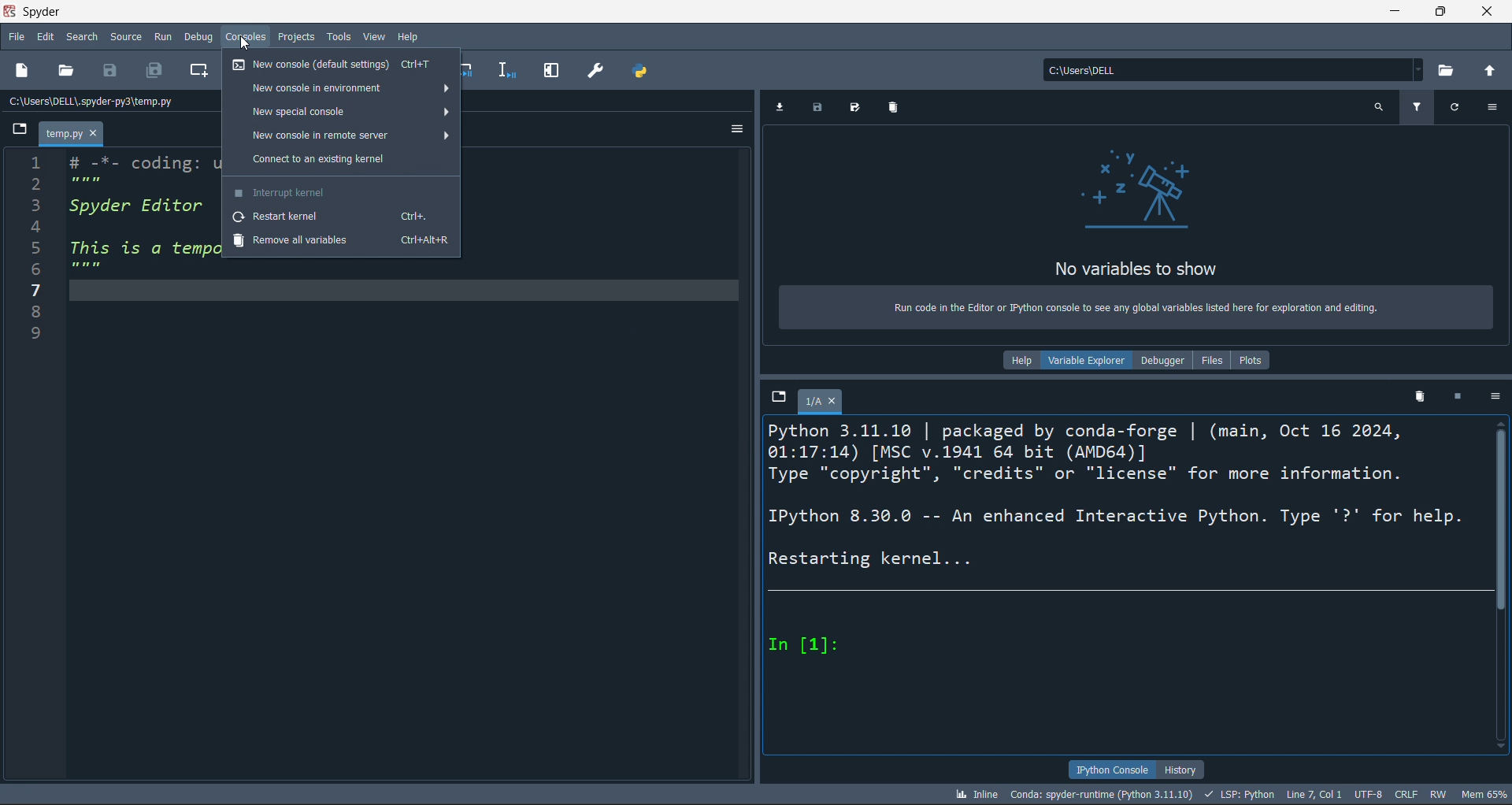 The width and height of the screenshot is (1512, 805). Describe the element at coordinates (1443, 65) in the screenshot. I see `open directory` at that location.